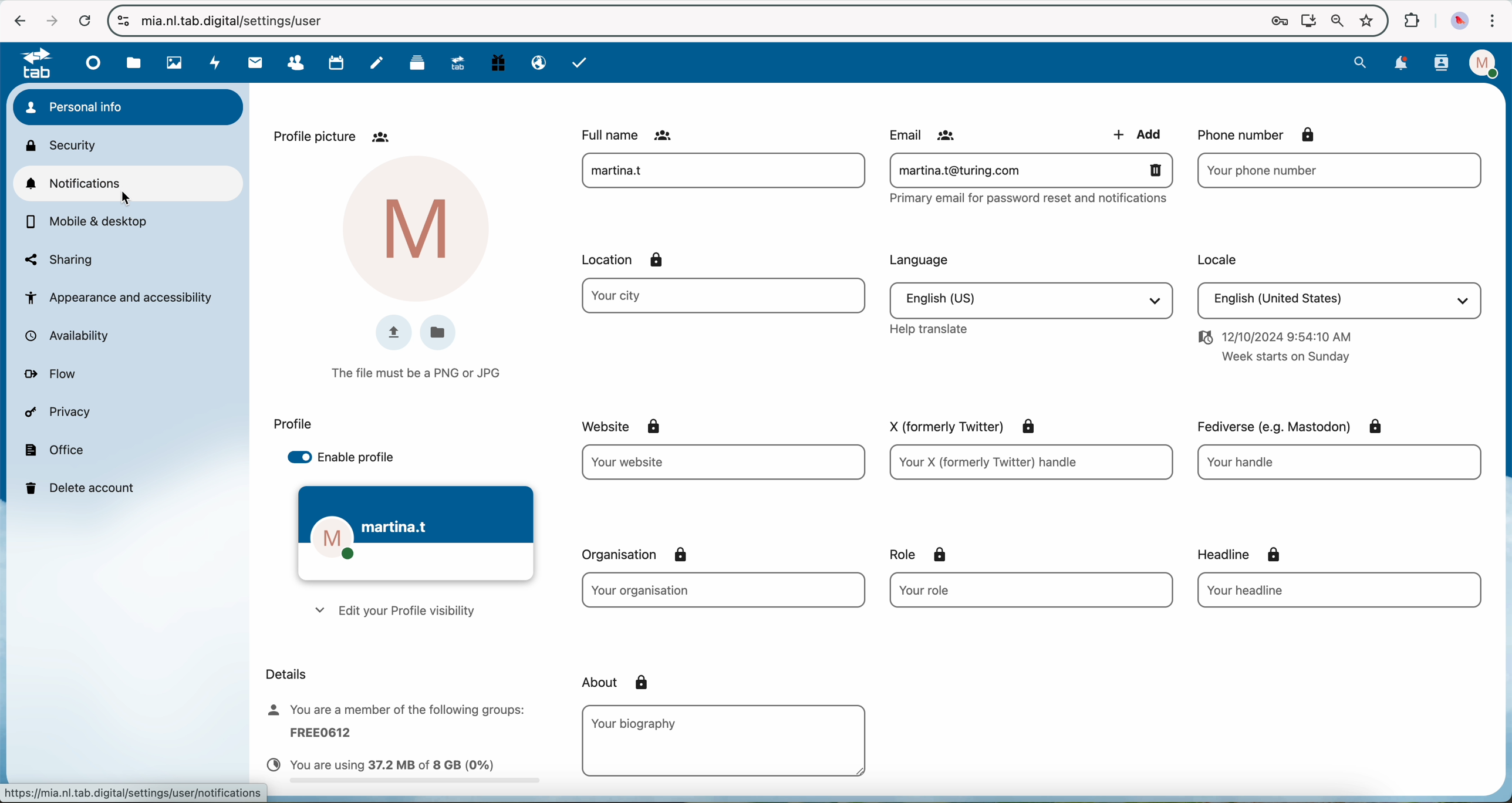  What do you see at coordinates (625, 426) in the screenshot?
I see `website` at bounding box center [625, 426].